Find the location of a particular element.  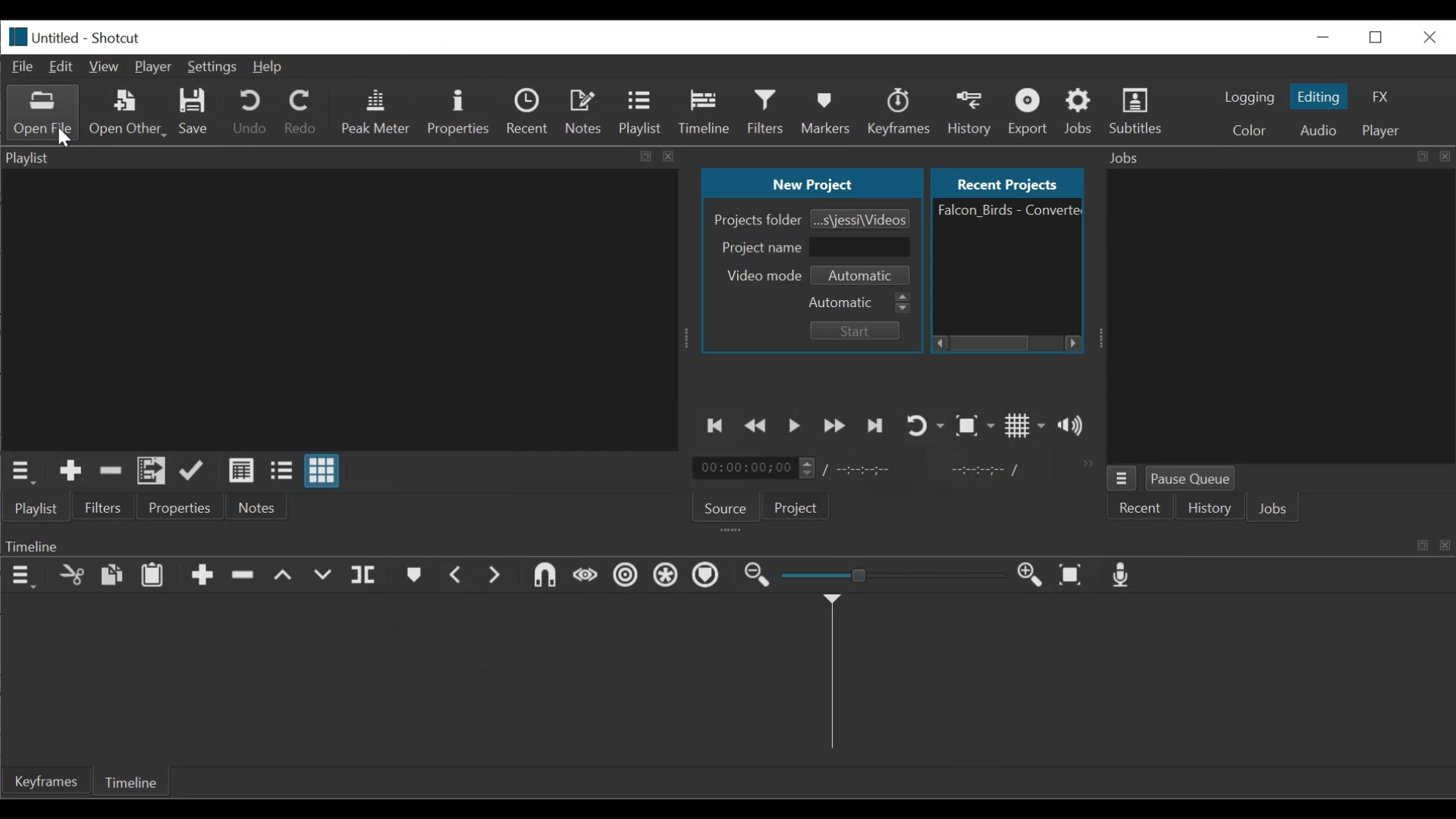

Horizontal Scroll bar is located at coordinates (993, 345).